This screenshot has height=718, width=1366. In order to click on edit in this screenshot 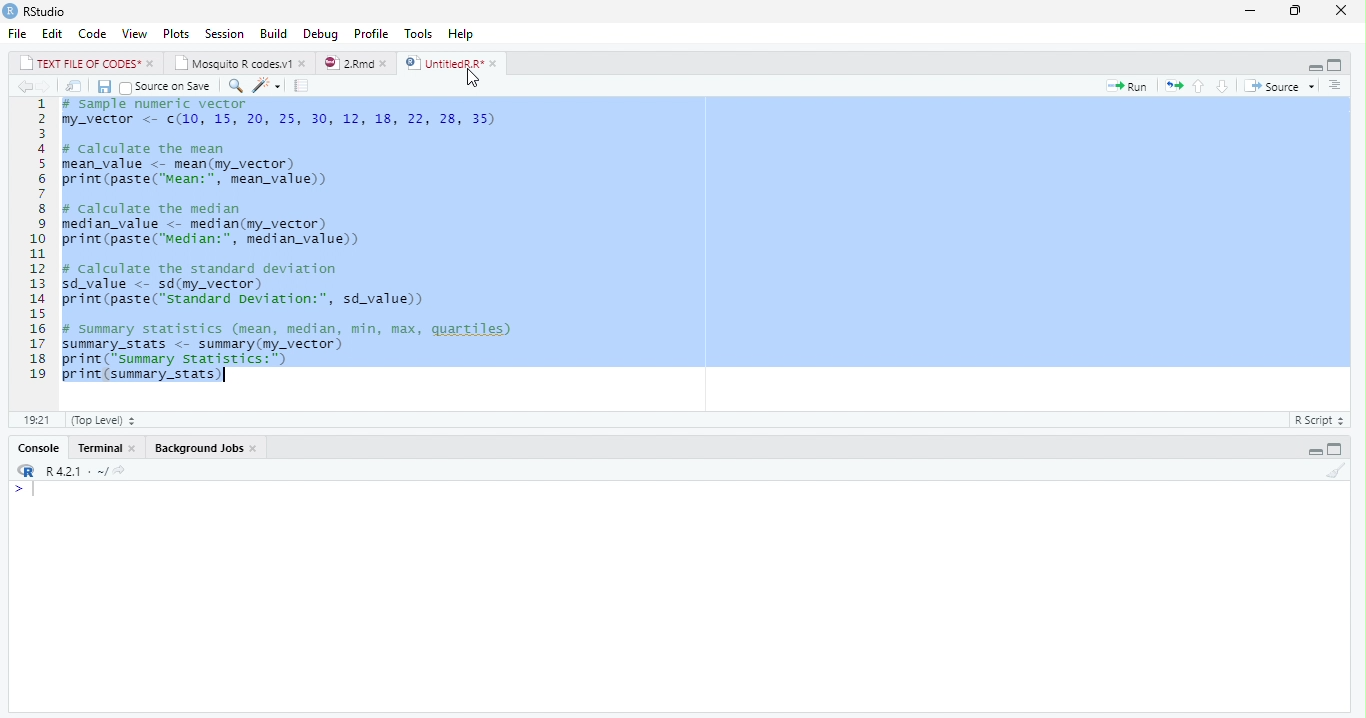, I will do `click(53, 34)`.